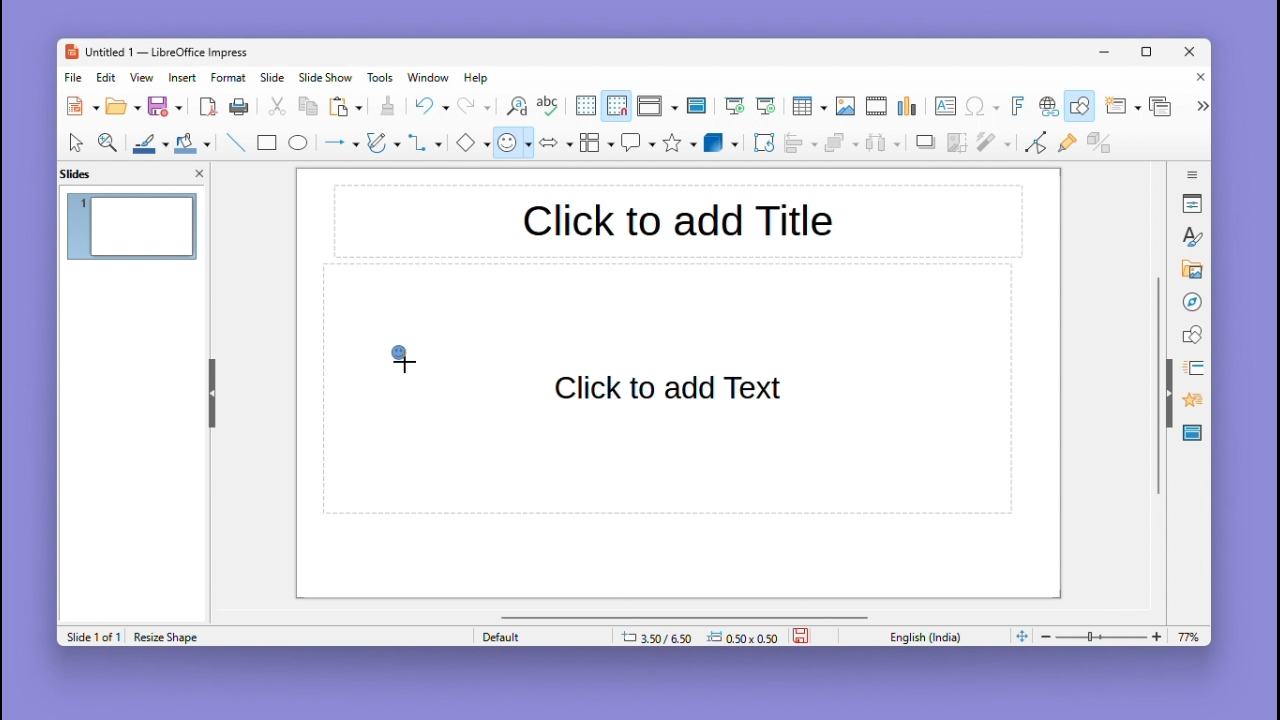  Describe the element at coordinates (278, 107) in the screenshot. I see `cut` at that location.